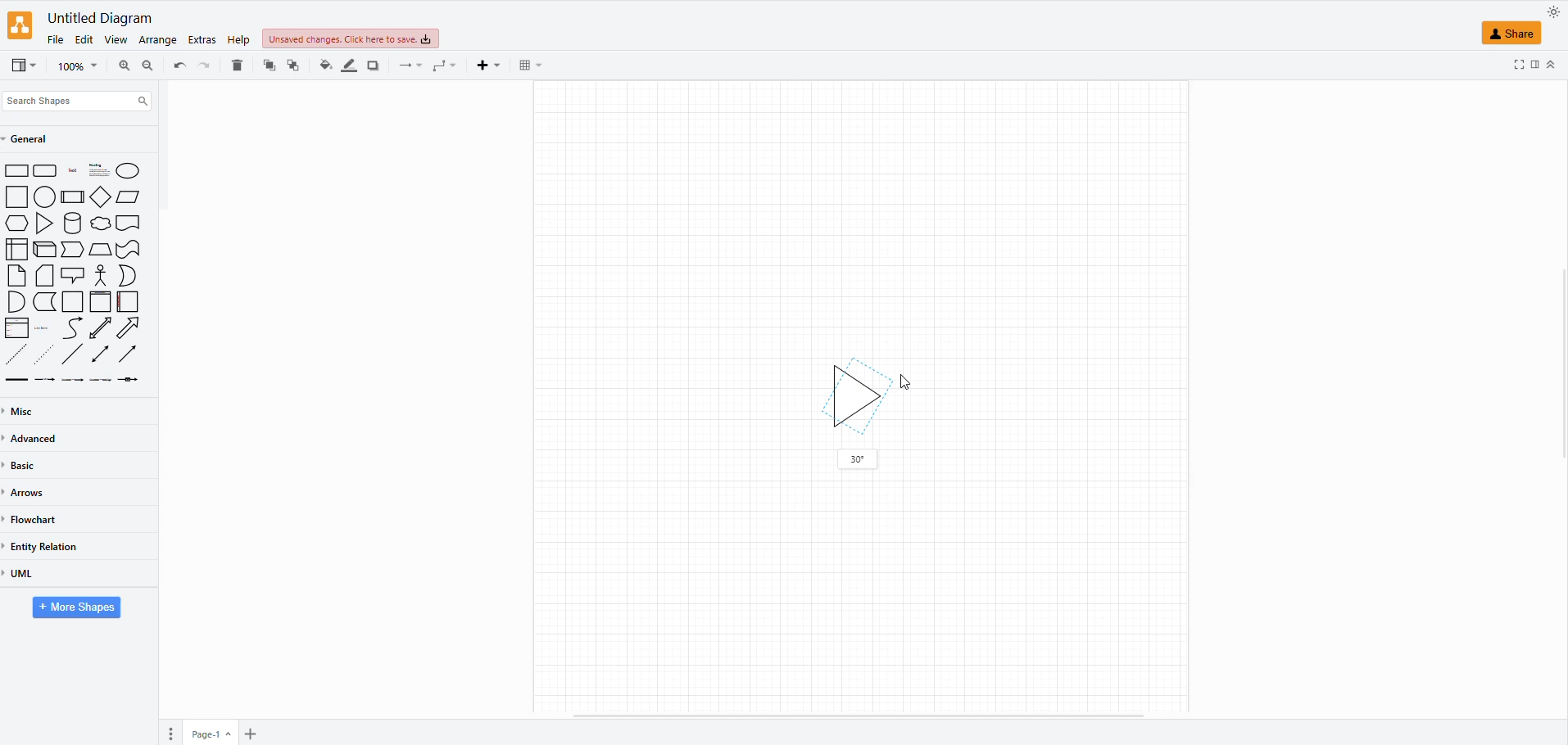 The width and height of the screenshot is (1568, 745). I want to click on Rounded Box, so click(46, 170).